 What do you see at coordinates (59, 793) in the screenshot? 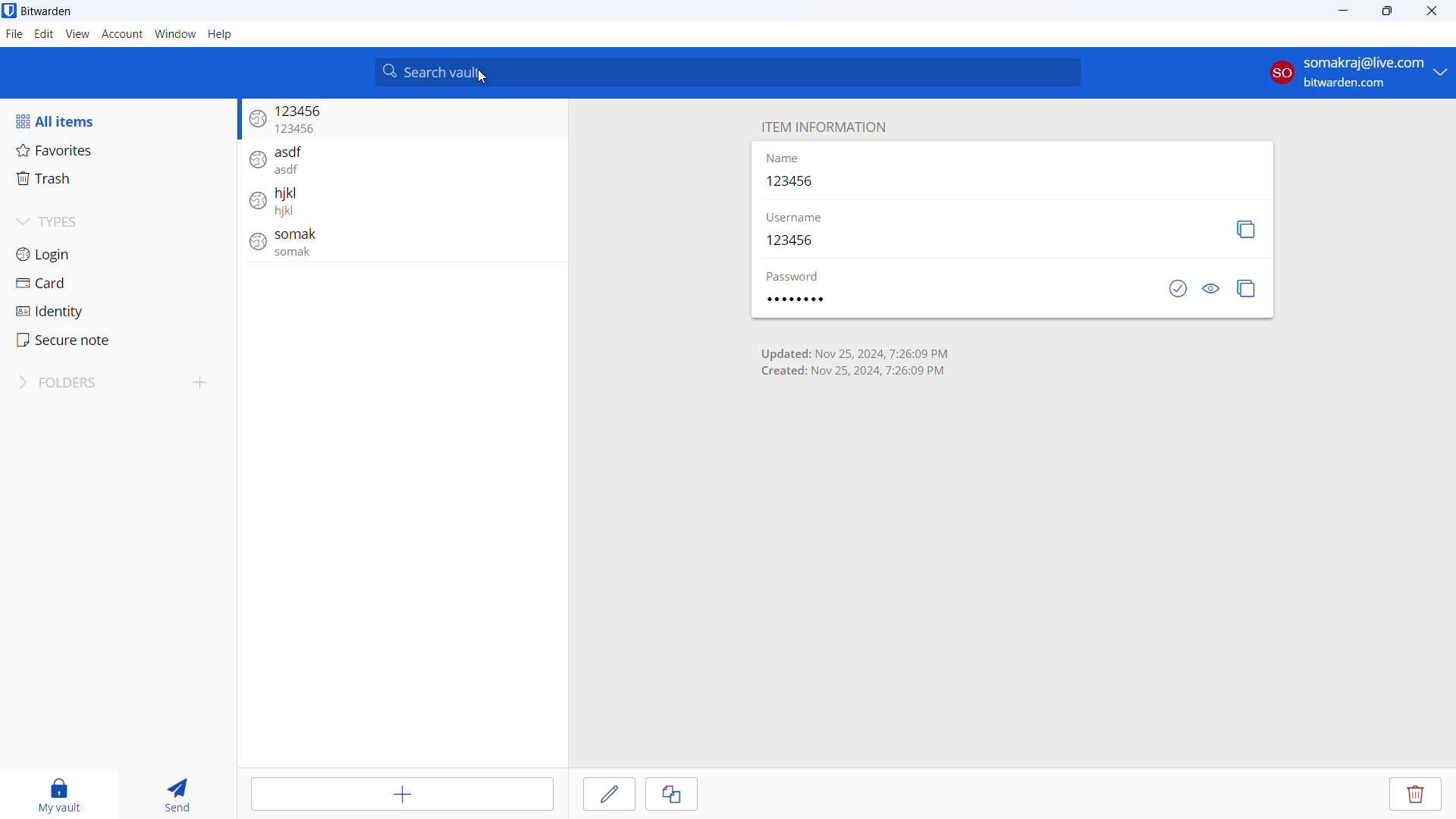
I see `my vault` at bounding box center [59, 793].